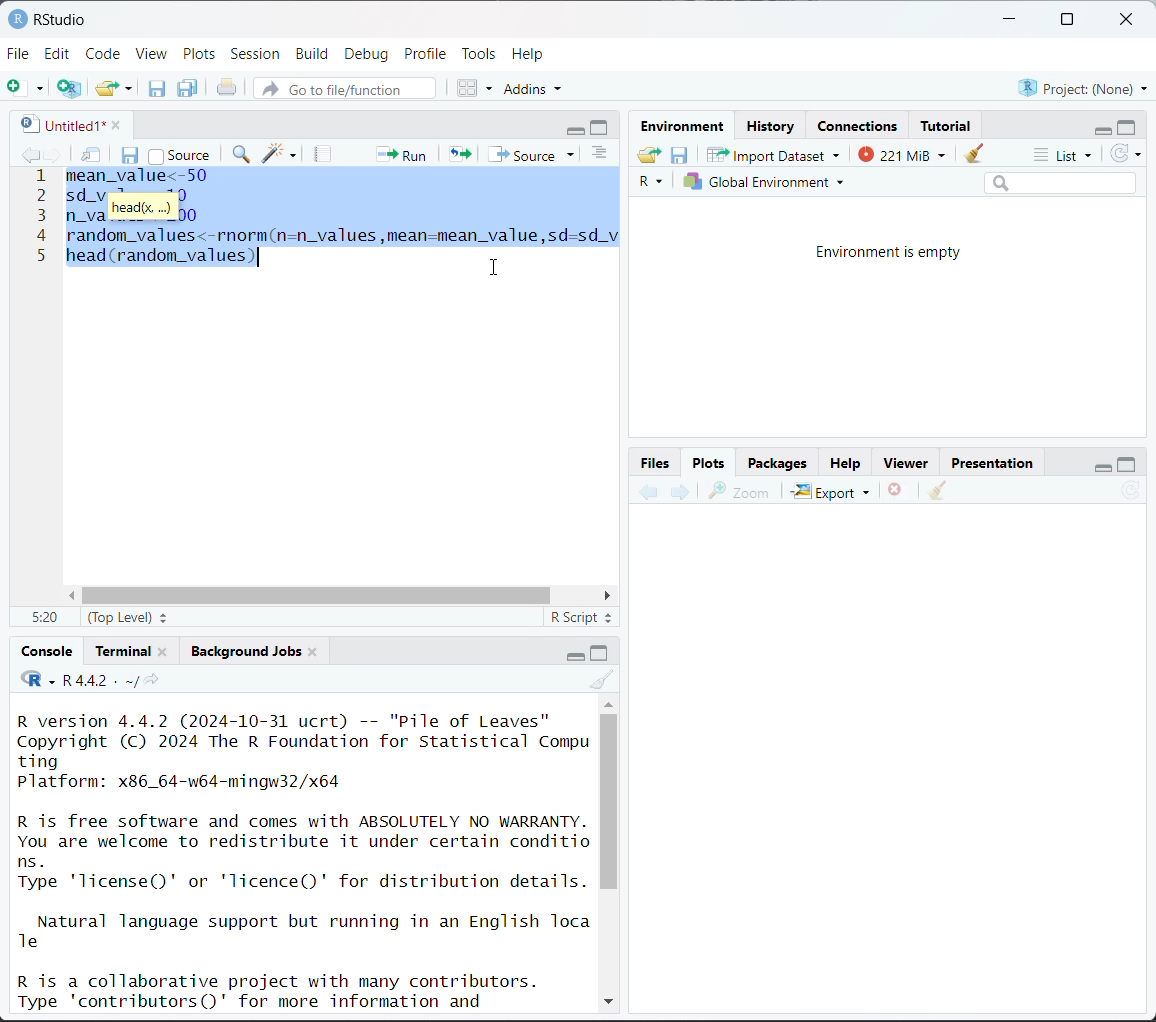 The width and height of the screenshot is (1156, 1022). What do you see at coordinates (246, 651) in the screenshot?
I see `Background jobs` at bounding box center [246, 651].